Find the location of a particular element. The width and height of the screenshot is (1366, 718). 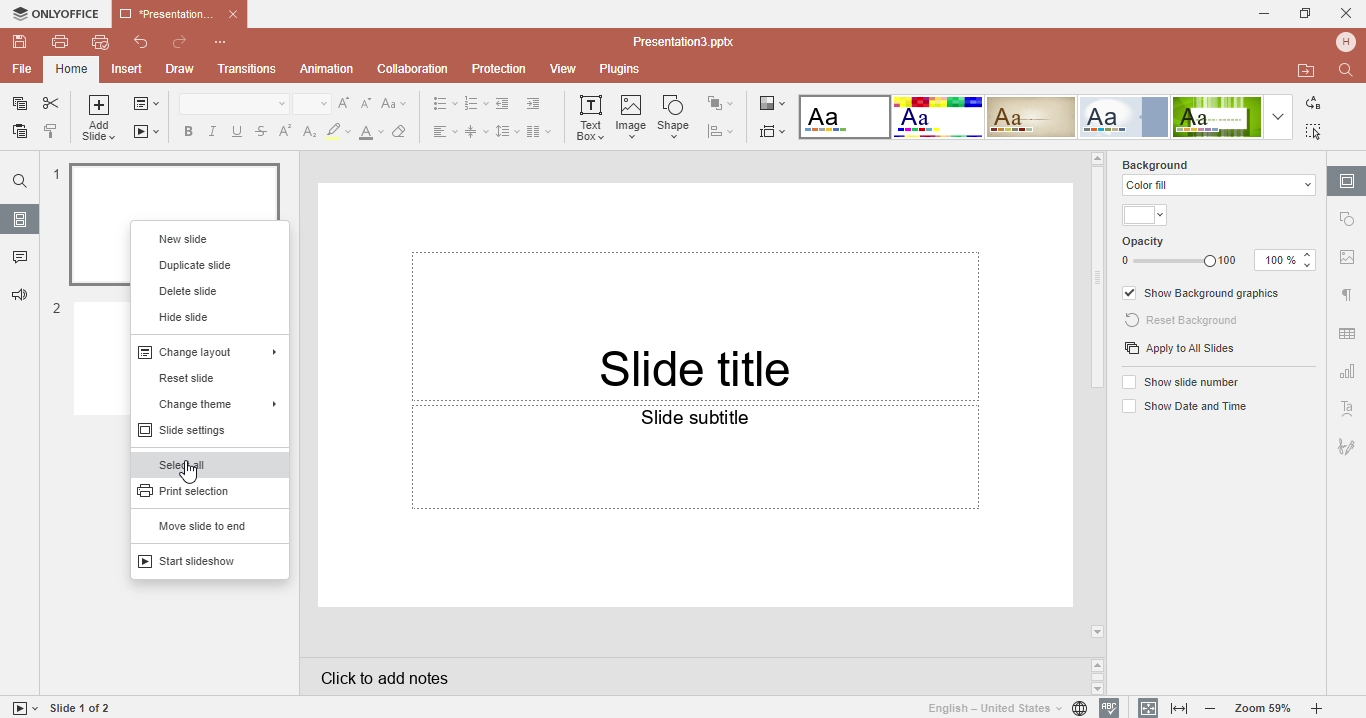

Save is located at coordinates (17, 42).